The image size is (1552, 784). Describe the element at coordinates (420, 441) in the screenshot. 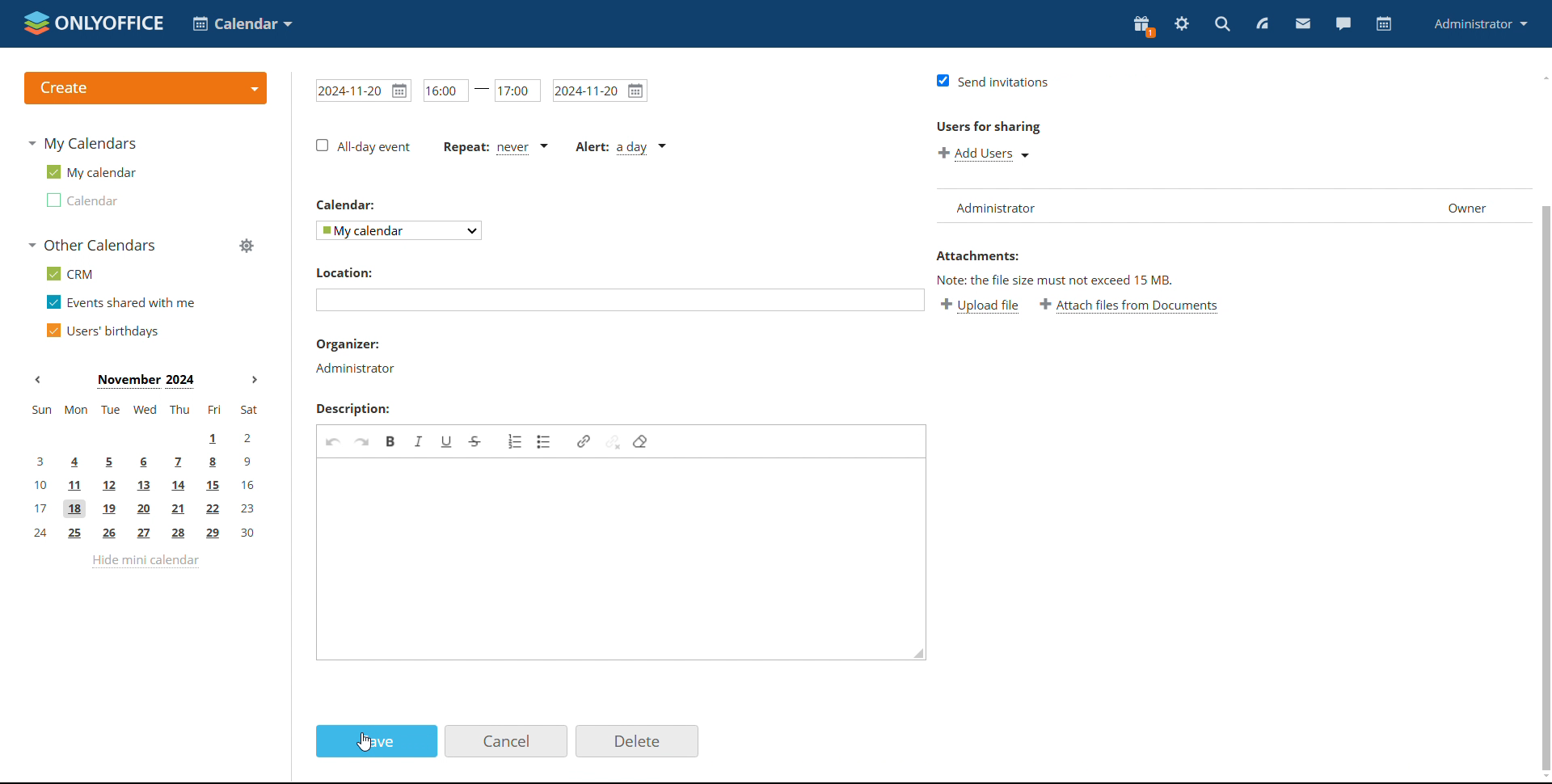

I see `Italic` at that location.